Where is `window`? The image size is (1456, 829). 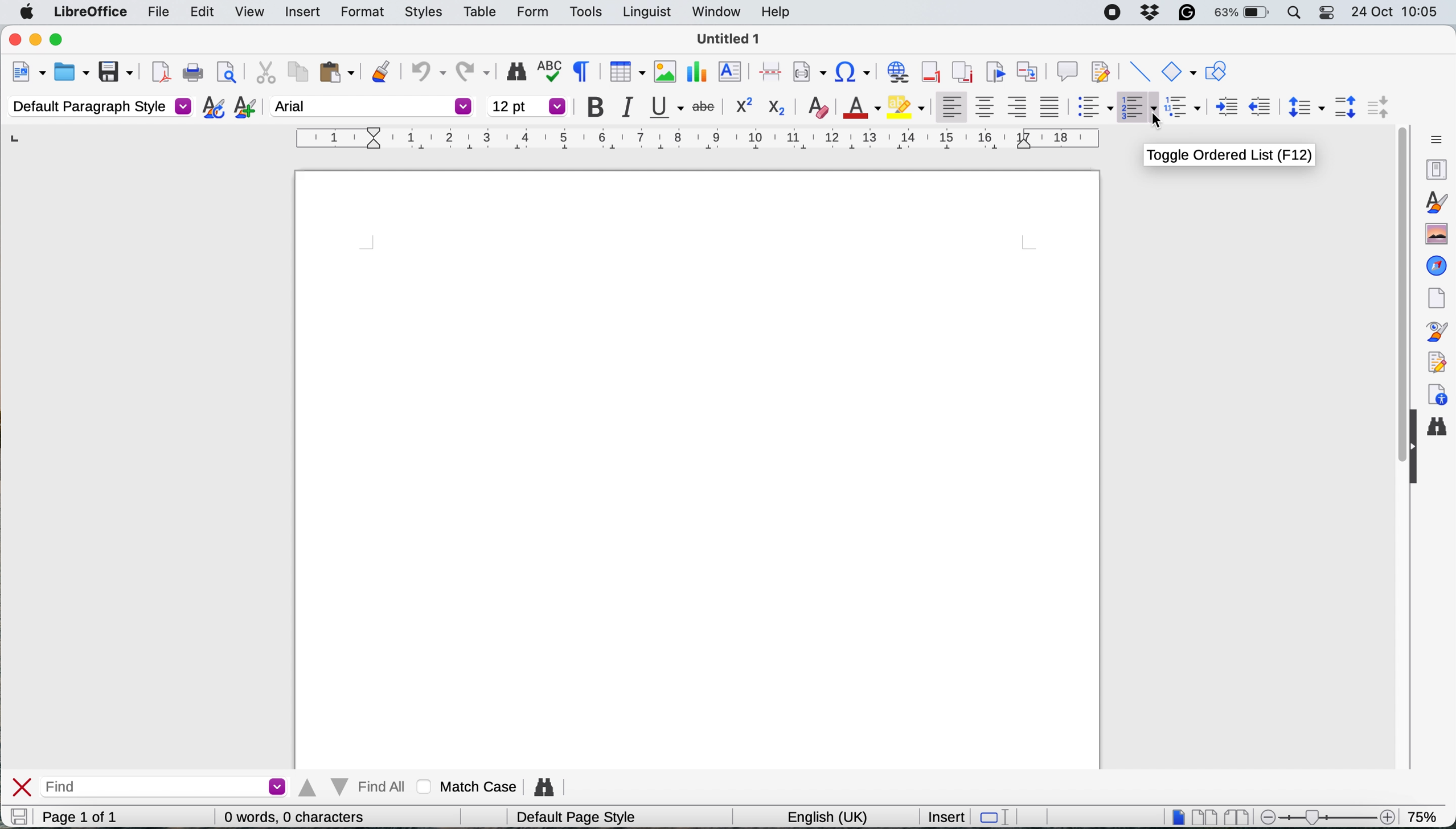
window is located at coordinates (716, 14).